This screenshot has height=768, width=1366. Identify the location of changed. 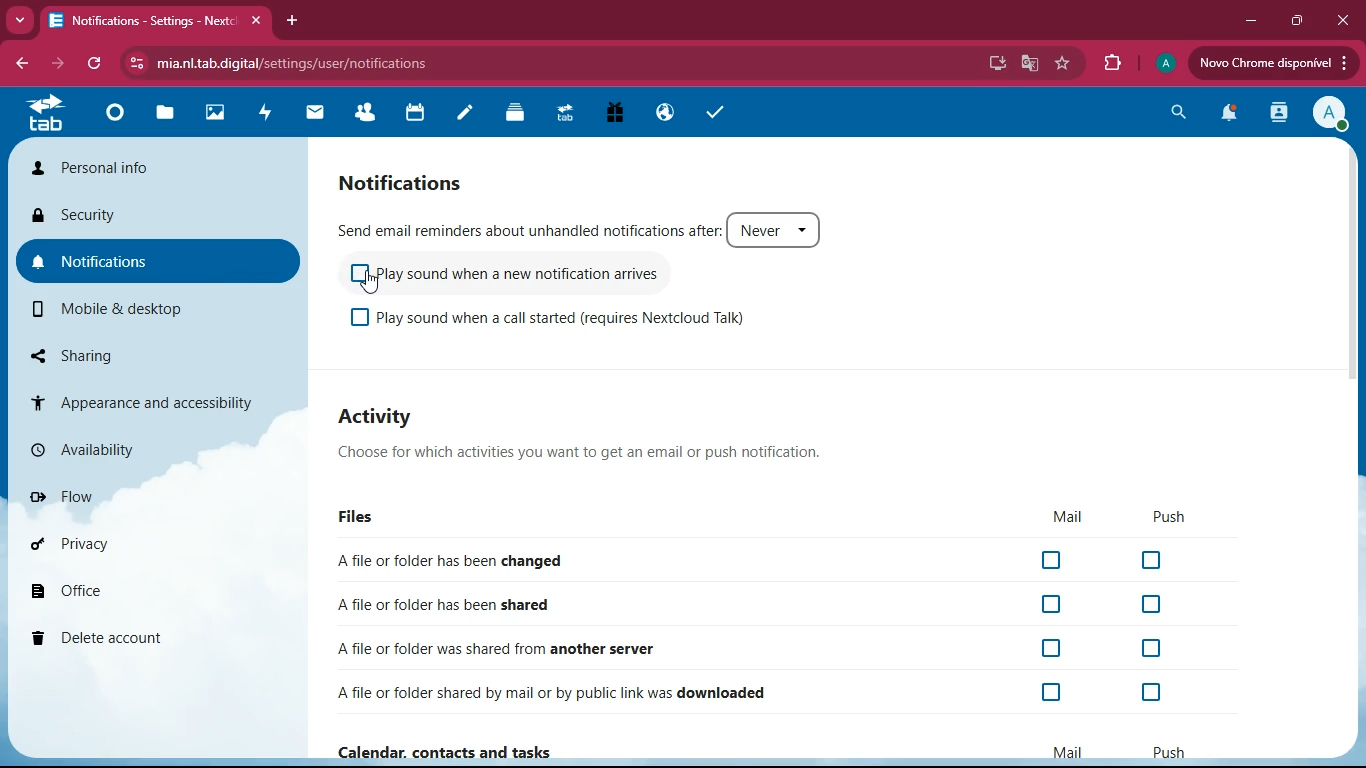
(475, 560).